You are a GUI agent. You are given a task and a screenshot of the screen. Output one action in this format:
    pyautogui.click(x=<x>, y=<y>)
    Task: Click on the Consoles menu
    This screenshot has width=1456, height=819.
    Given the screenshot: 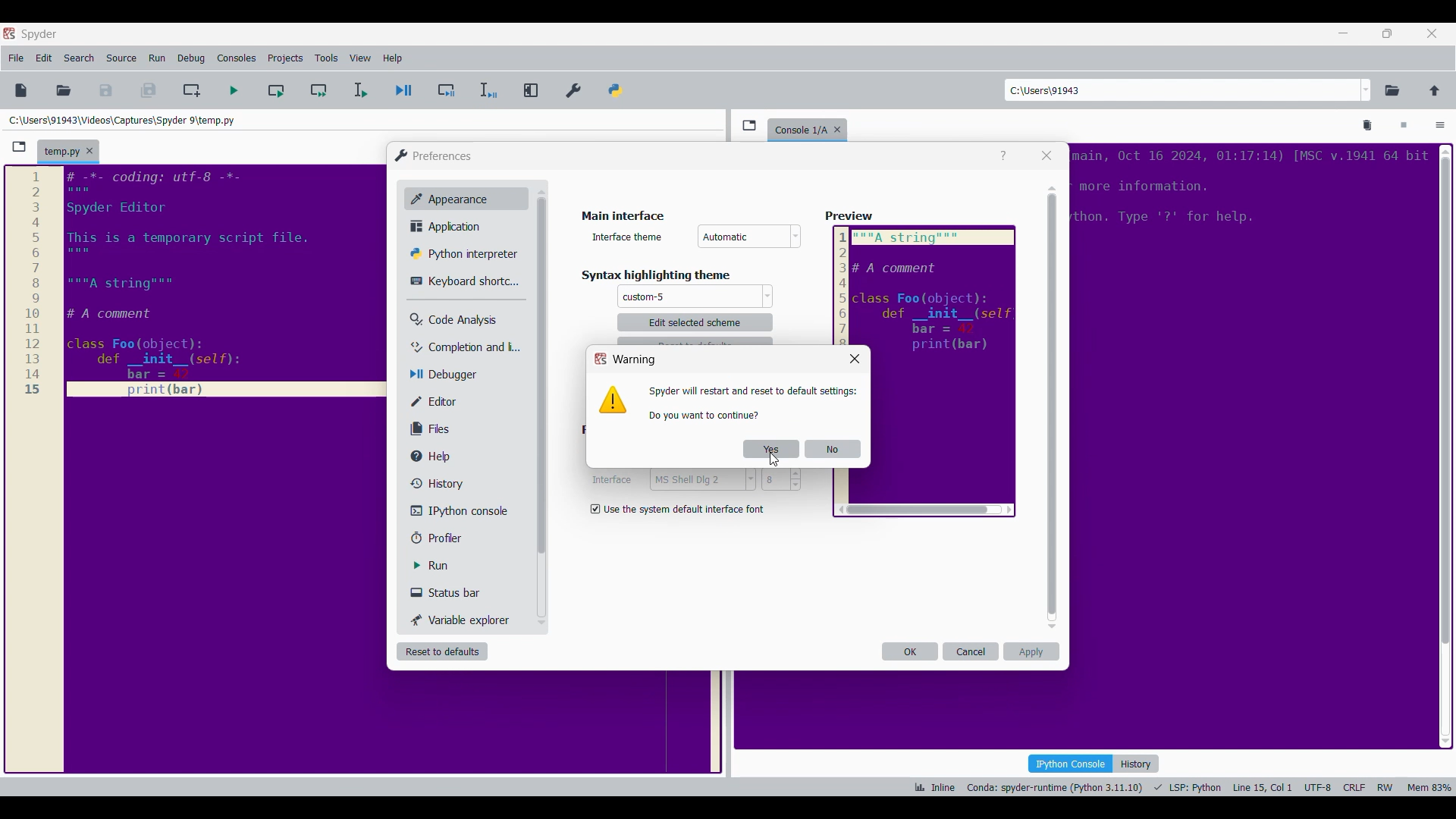 What is the action you would take?
    pyautogui.click(x=237, y=58)
    